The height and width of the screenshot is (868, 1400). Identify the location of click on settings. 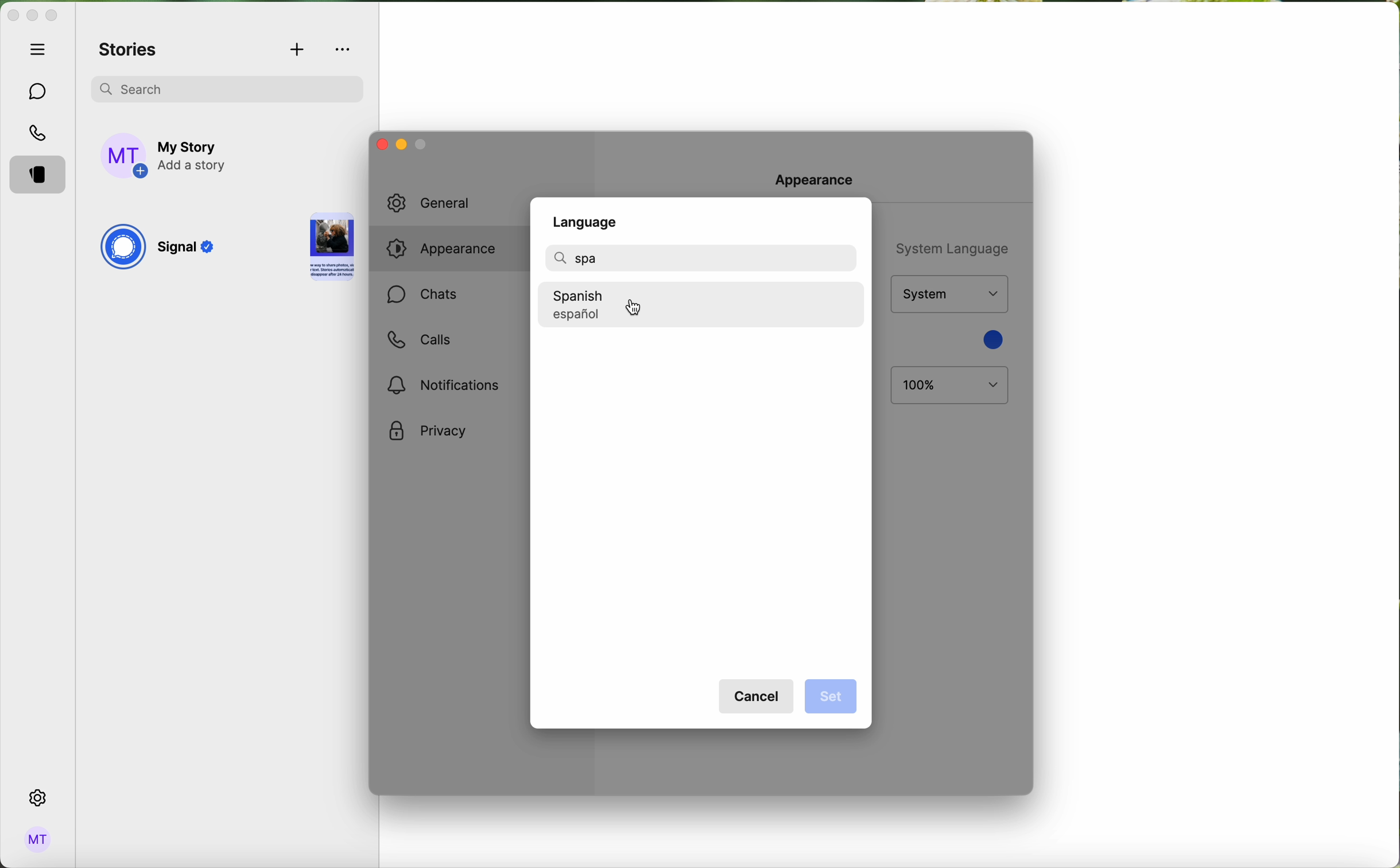
(38, 799).